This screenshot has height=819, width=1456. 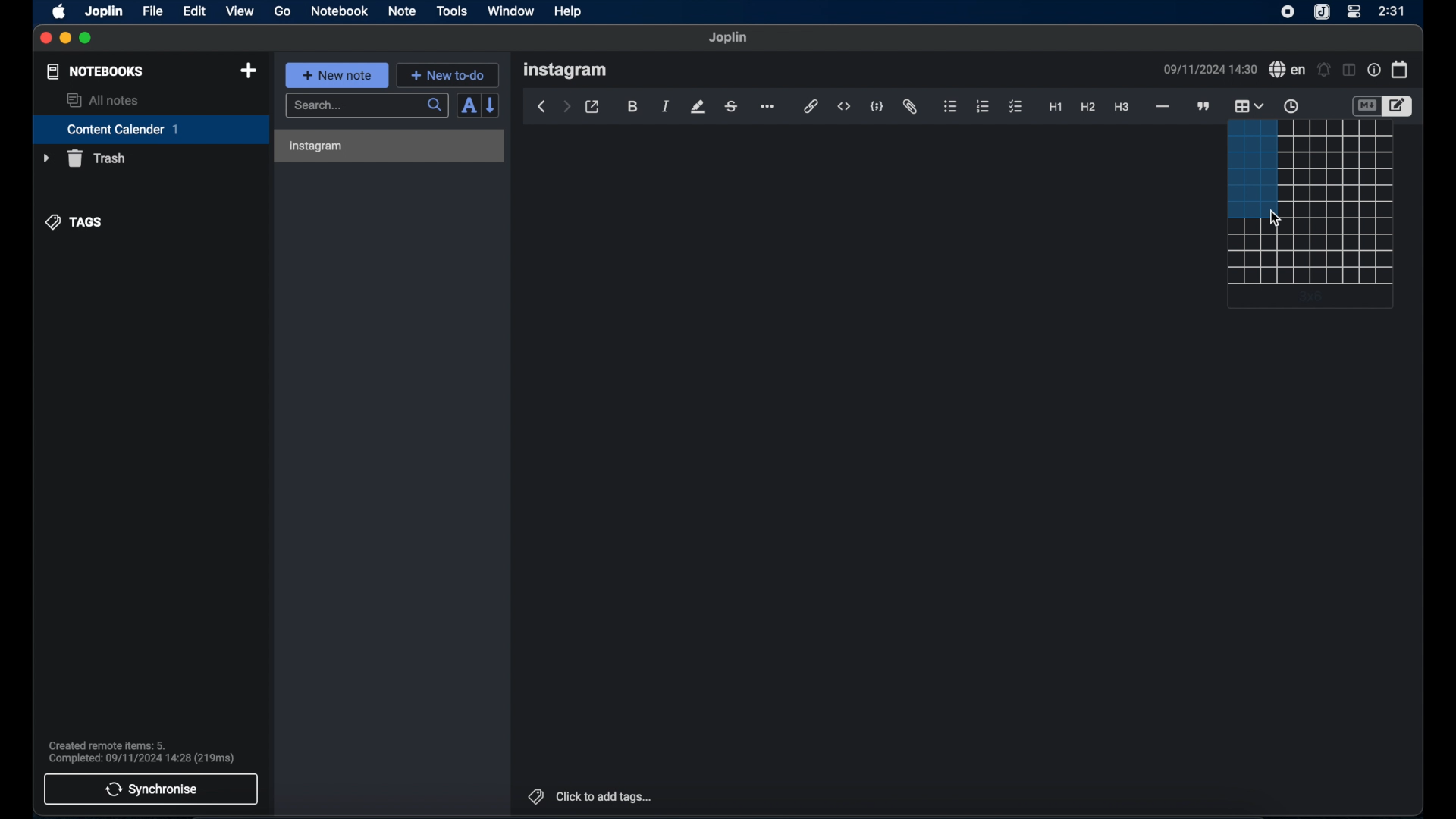 I want to click on tools, so click(x=451, y=11).